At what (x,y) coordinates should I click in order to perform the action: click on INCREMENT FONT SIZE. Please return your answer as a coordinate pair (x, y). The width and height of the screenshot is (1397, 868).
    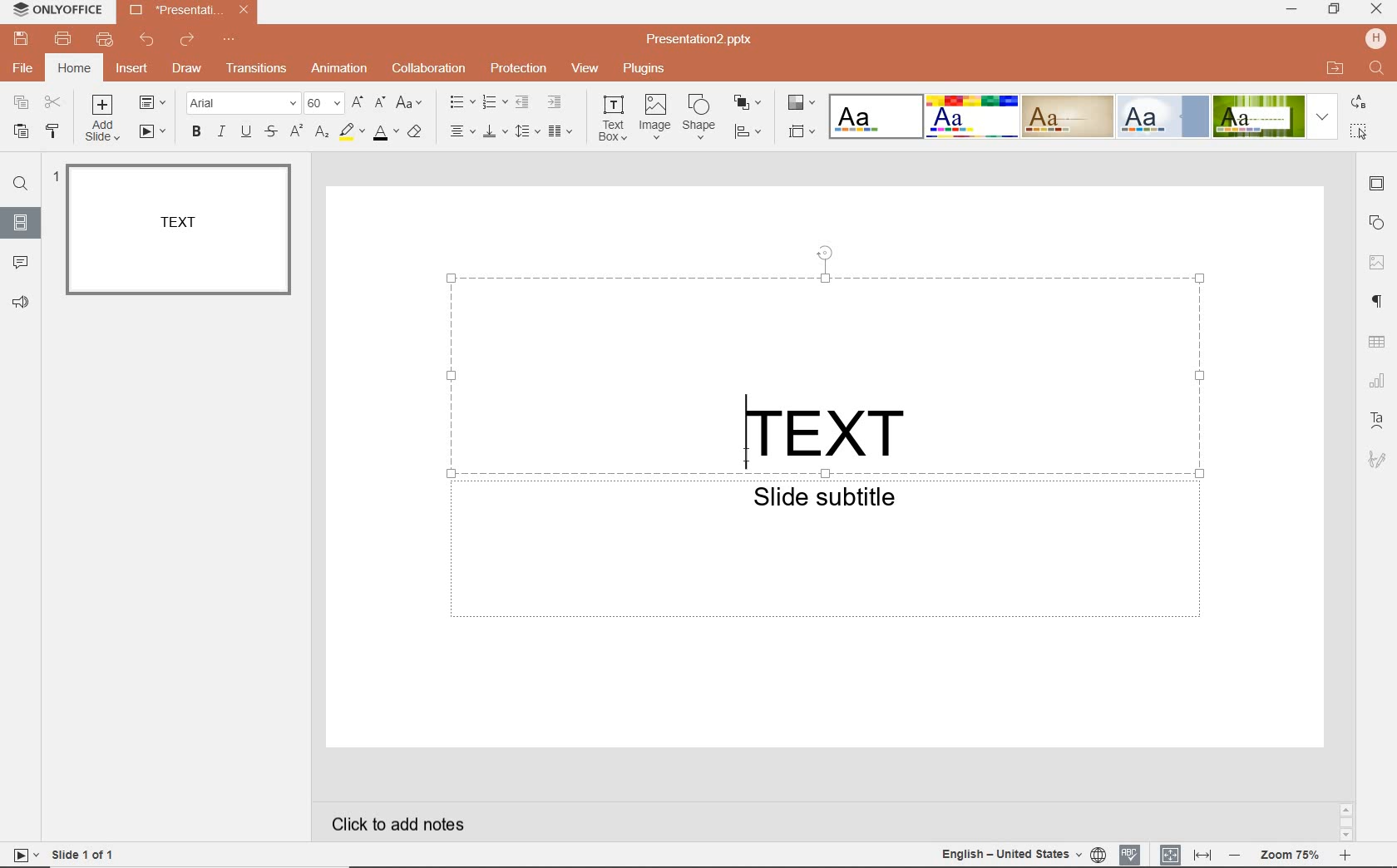
    Looking at the image, I should click on (358, 103).